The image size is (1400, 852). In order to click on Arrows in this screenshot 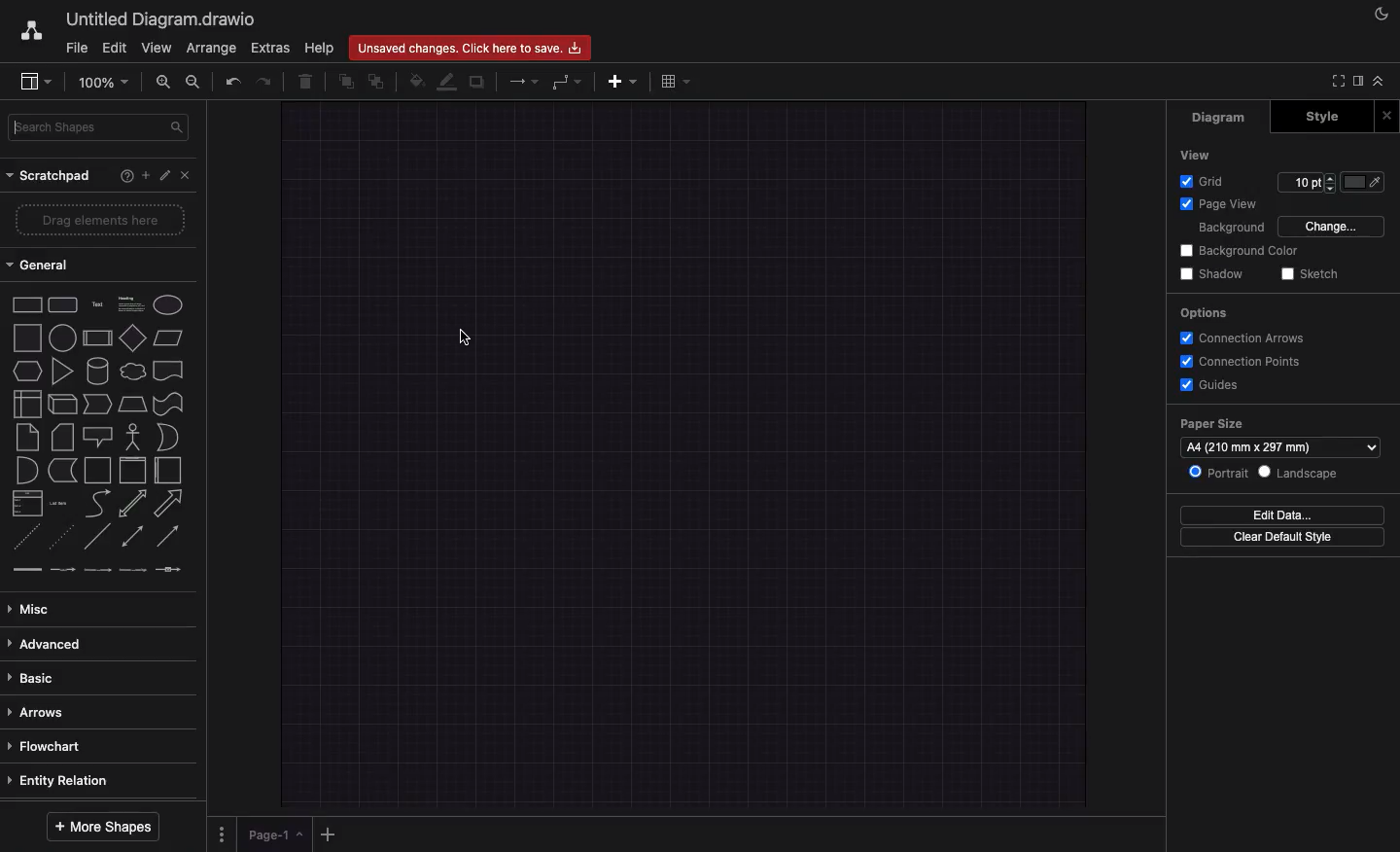, I will do `click(526, 81)`.